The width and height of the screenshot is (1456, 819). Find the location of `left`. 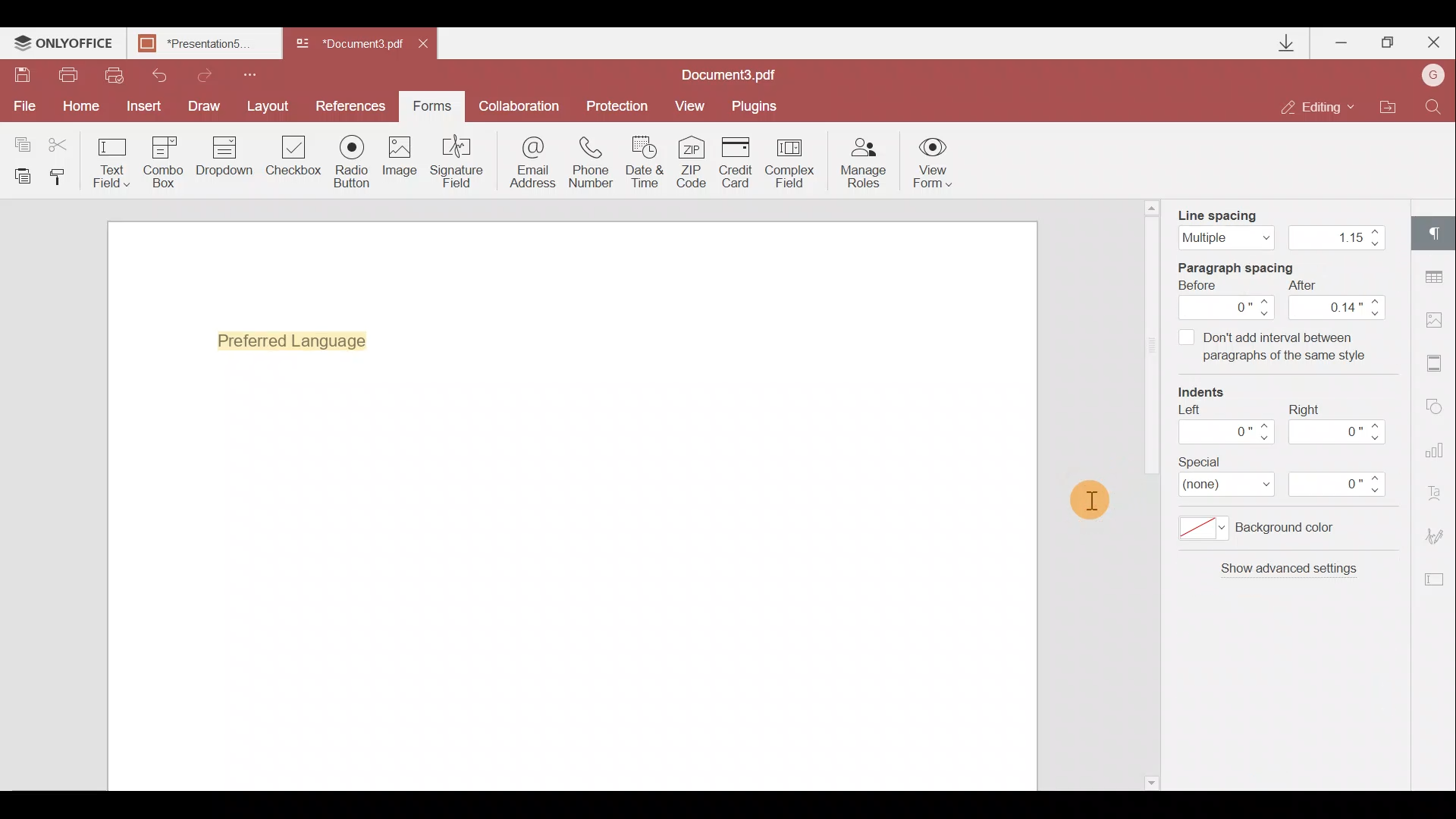

left is located at coordinates (1188, 409).